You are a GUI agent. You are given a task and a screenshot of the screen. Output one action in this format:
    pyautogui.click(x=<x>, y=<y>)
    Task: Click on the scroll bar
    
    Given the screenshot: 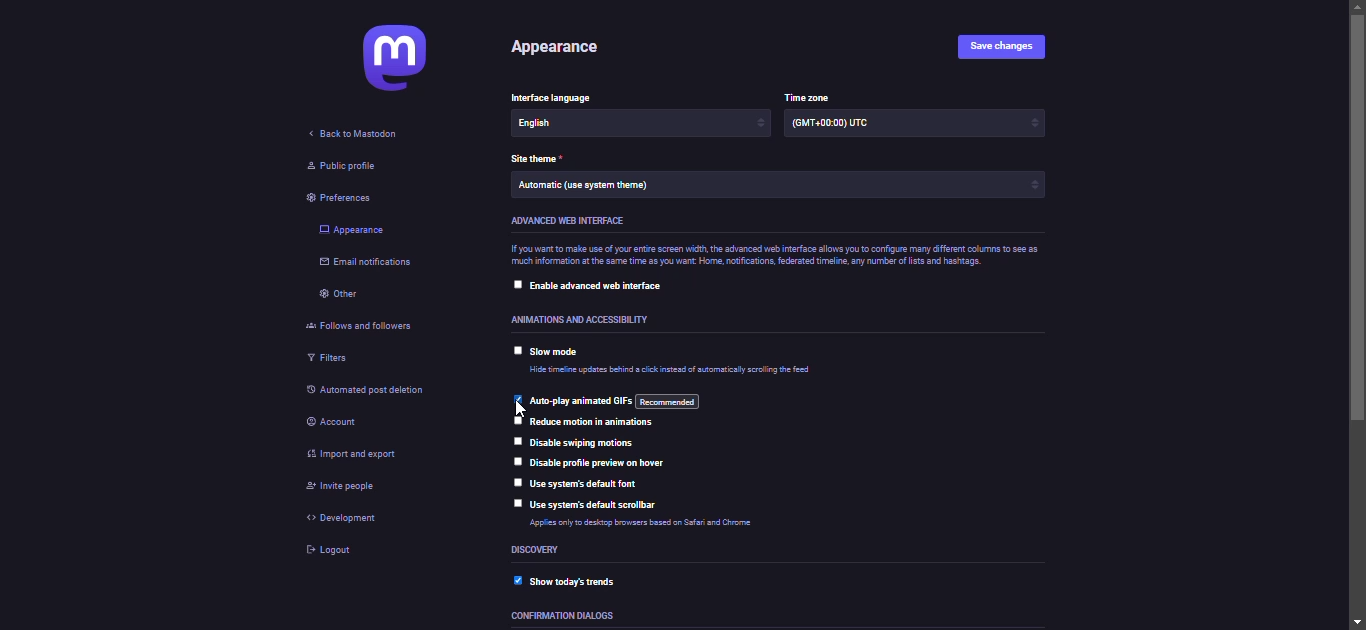 What is the action you would take?
    pyautogui.click(x=1358, y=317)
    